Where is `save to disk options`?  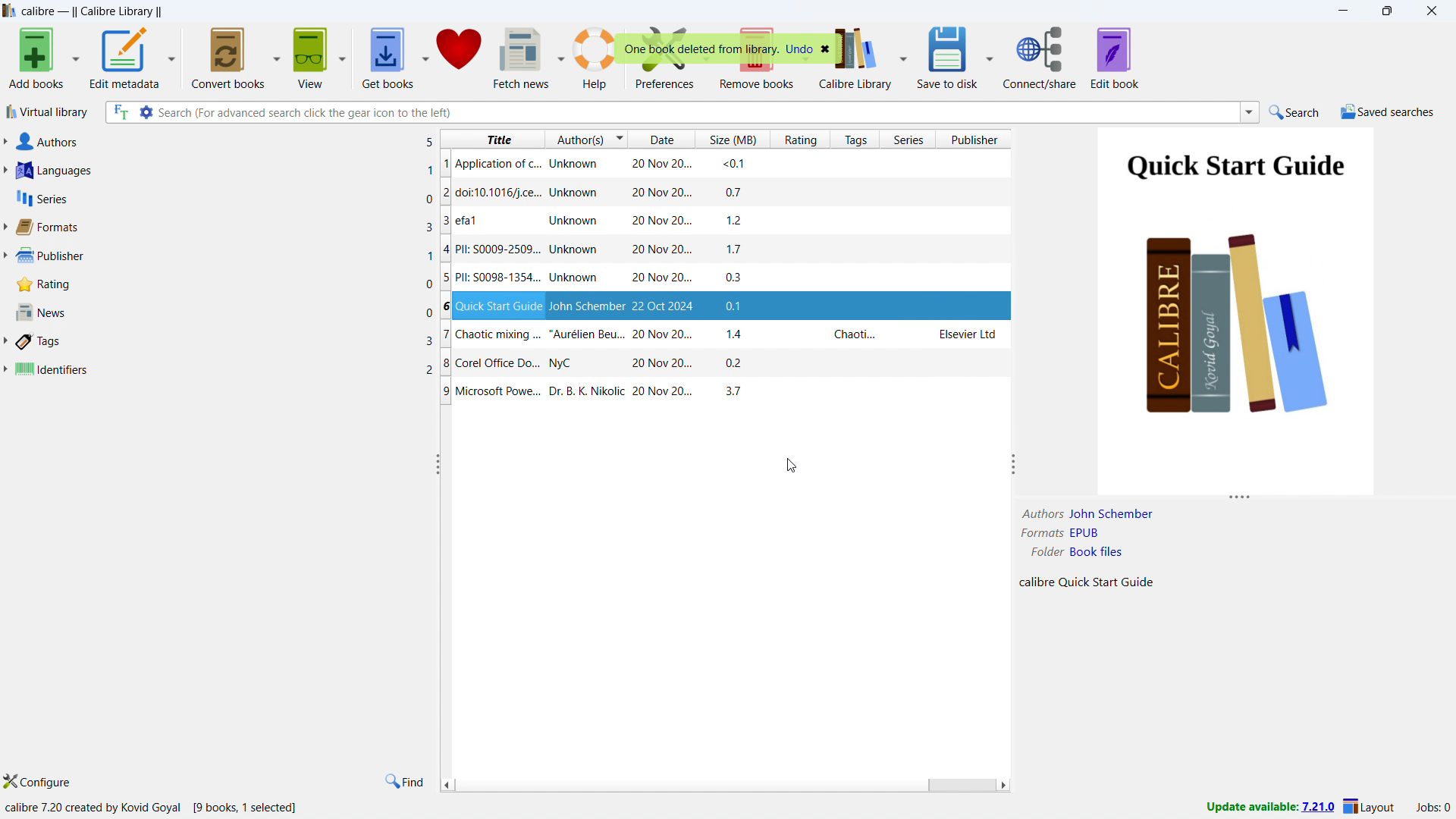 save to disk options is located at coordinates (990, 56).